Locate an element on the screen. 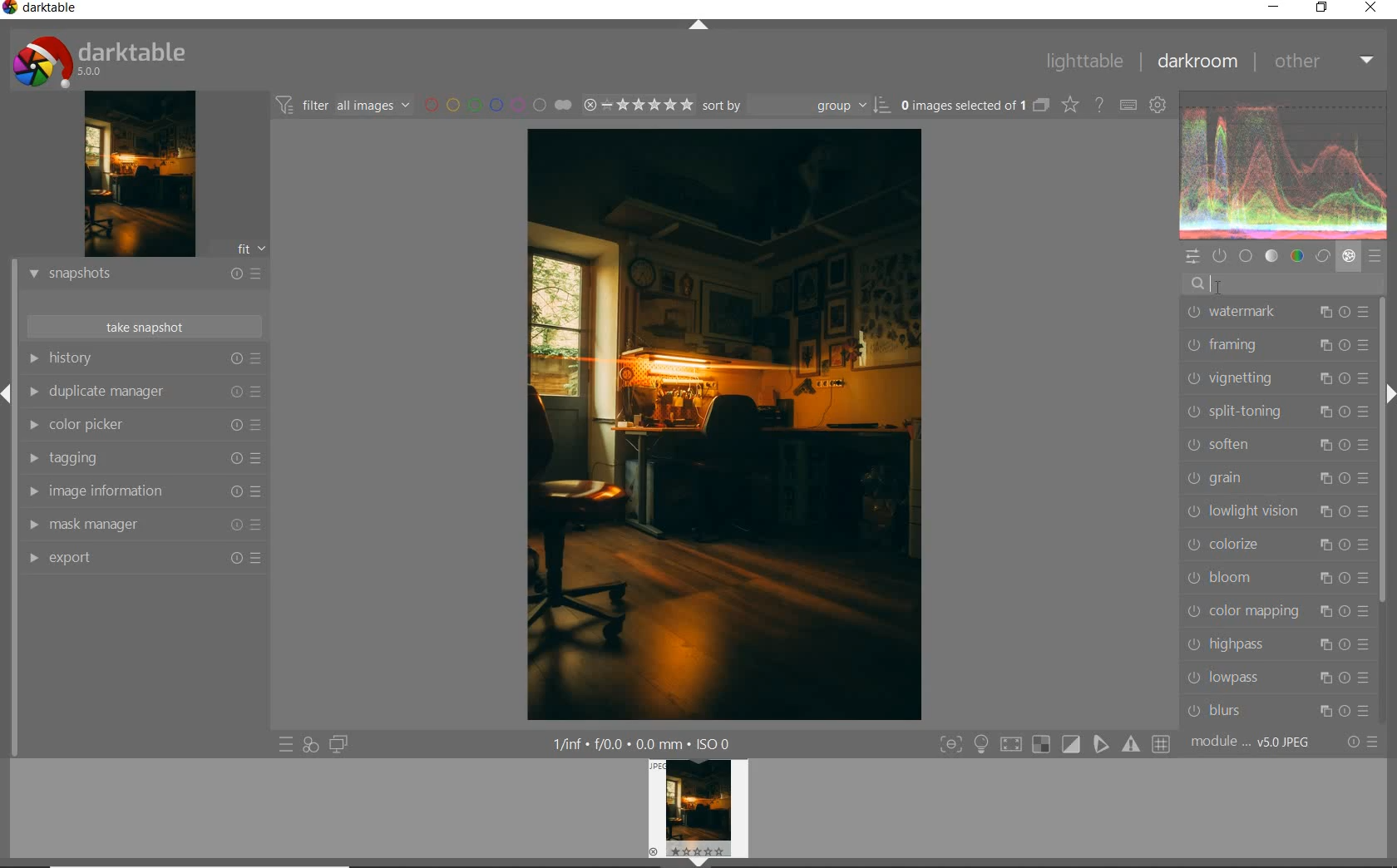 The height and width of the screenshot is (868, 1397). snapshots is located at coordinates (144, 276).